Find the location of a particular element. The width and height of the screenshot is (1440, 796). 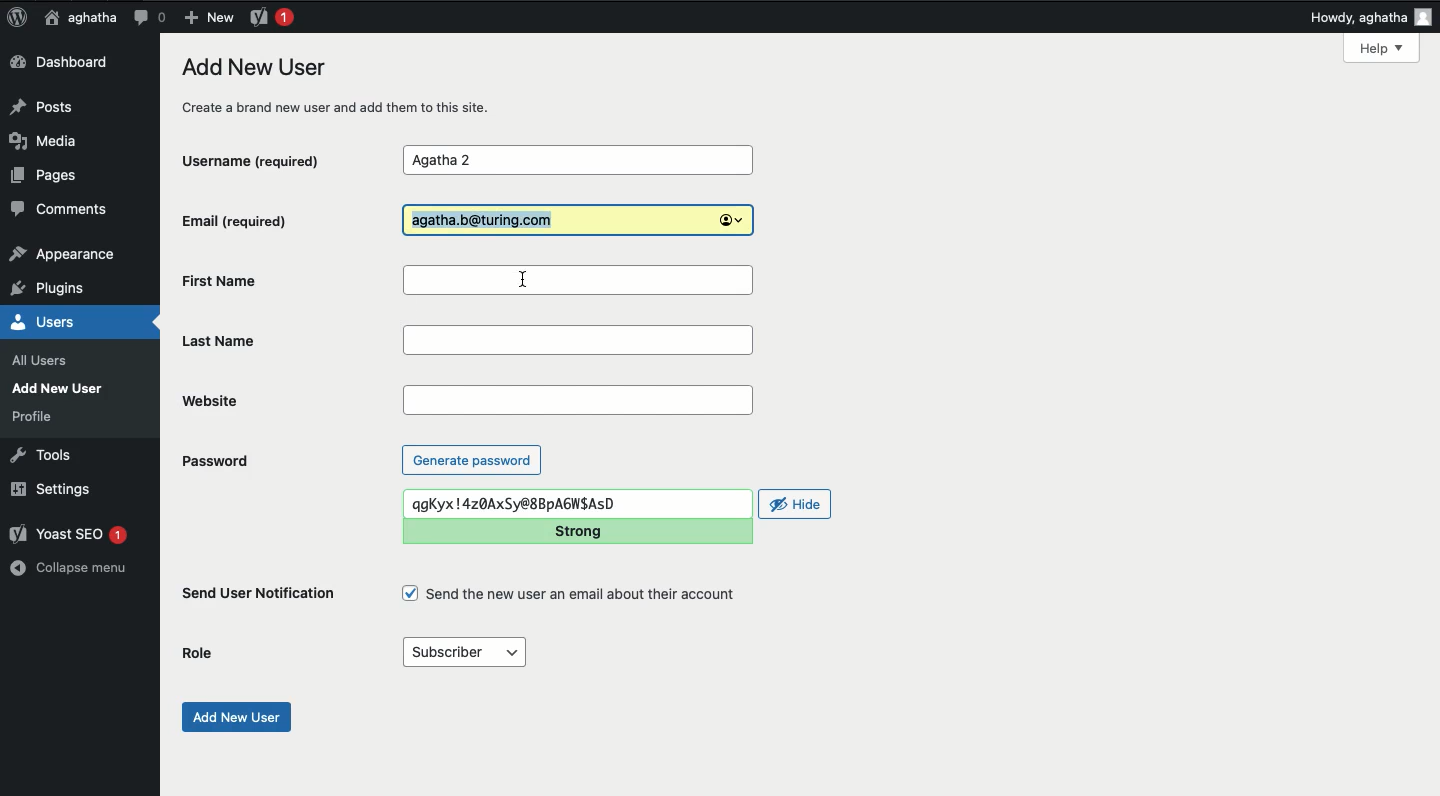

Logo is located at coordinates (17, 18).